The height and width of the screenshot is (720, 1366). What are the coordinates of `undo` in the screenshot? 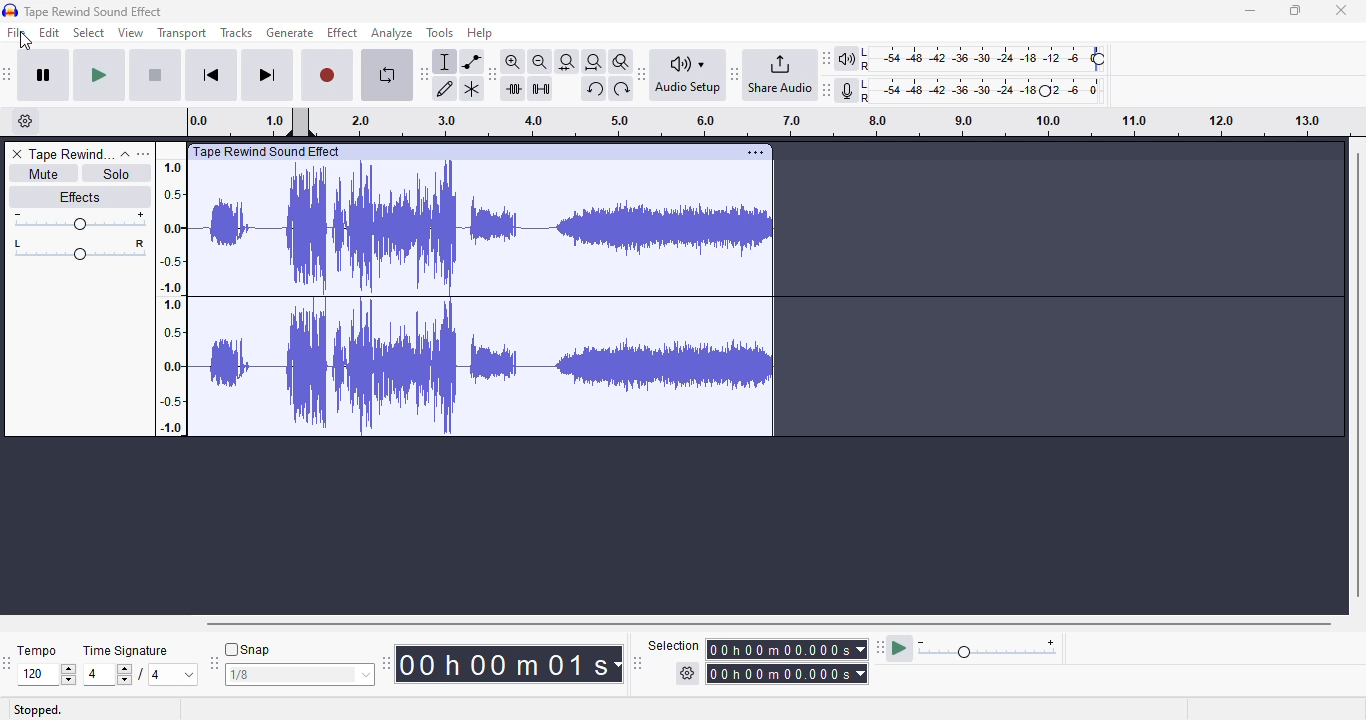 It's located at (594, 89).